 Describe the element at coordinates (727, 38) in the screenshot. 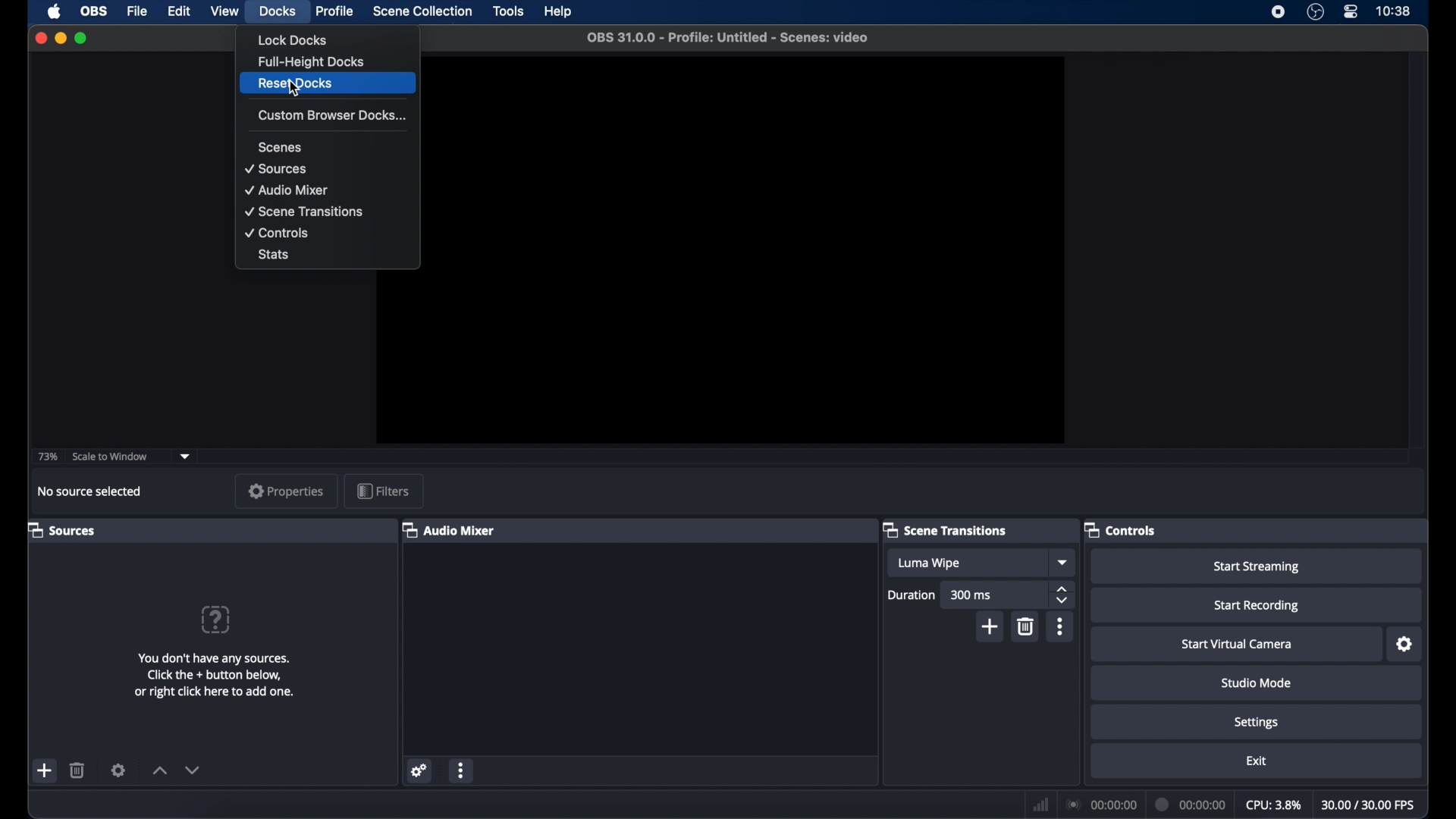

I see `OBS 31.0.0 - Profile: Untitled - Scenes: video` at that location.